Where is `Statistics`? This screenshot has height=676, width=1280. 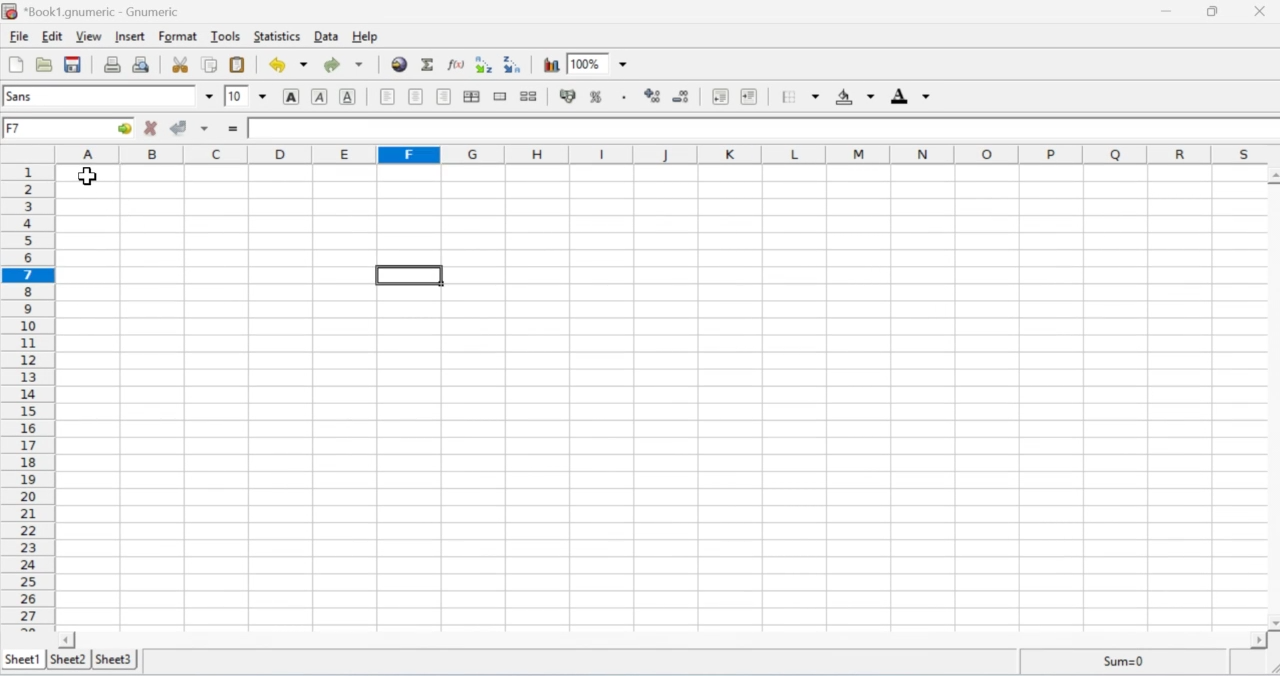 Statistics is located at coordinates (276, 36).